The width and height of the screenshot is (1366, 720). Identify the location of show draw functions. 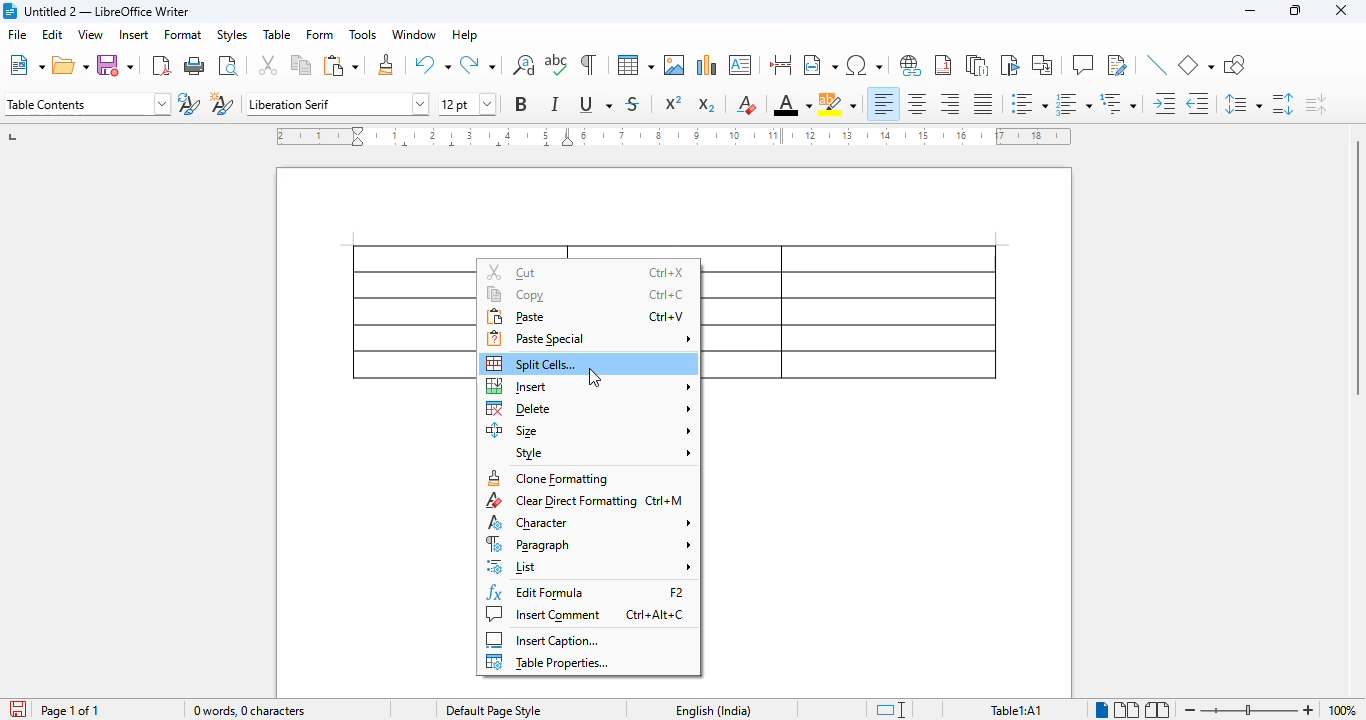
(1235, 65).